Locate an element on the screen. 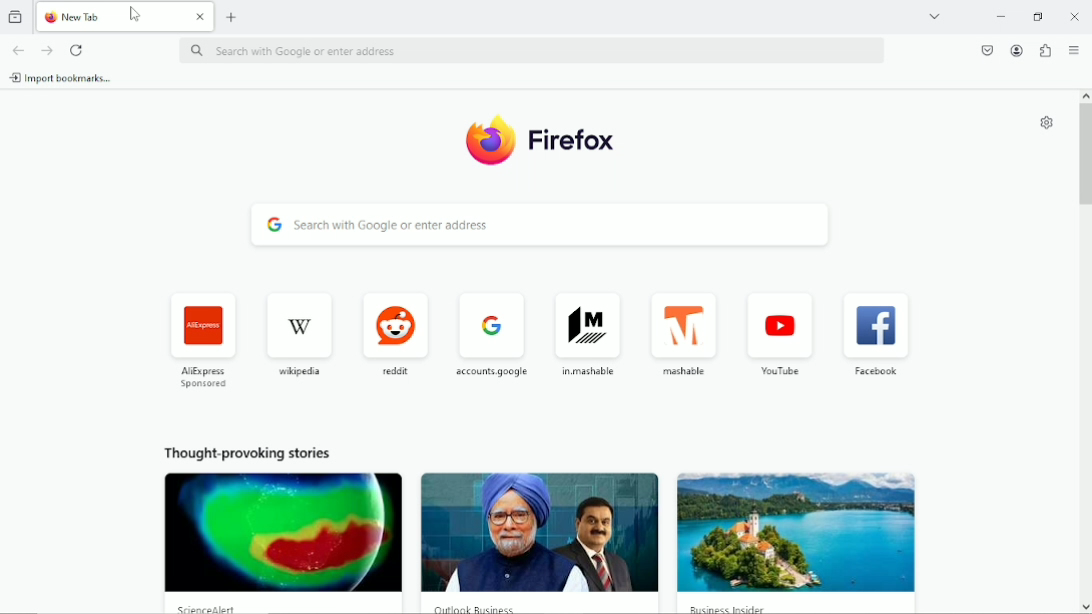 Image resolution: width=1092 pixels, height=614 pixels. Open applications menu is located at coordinates (1076, 49).